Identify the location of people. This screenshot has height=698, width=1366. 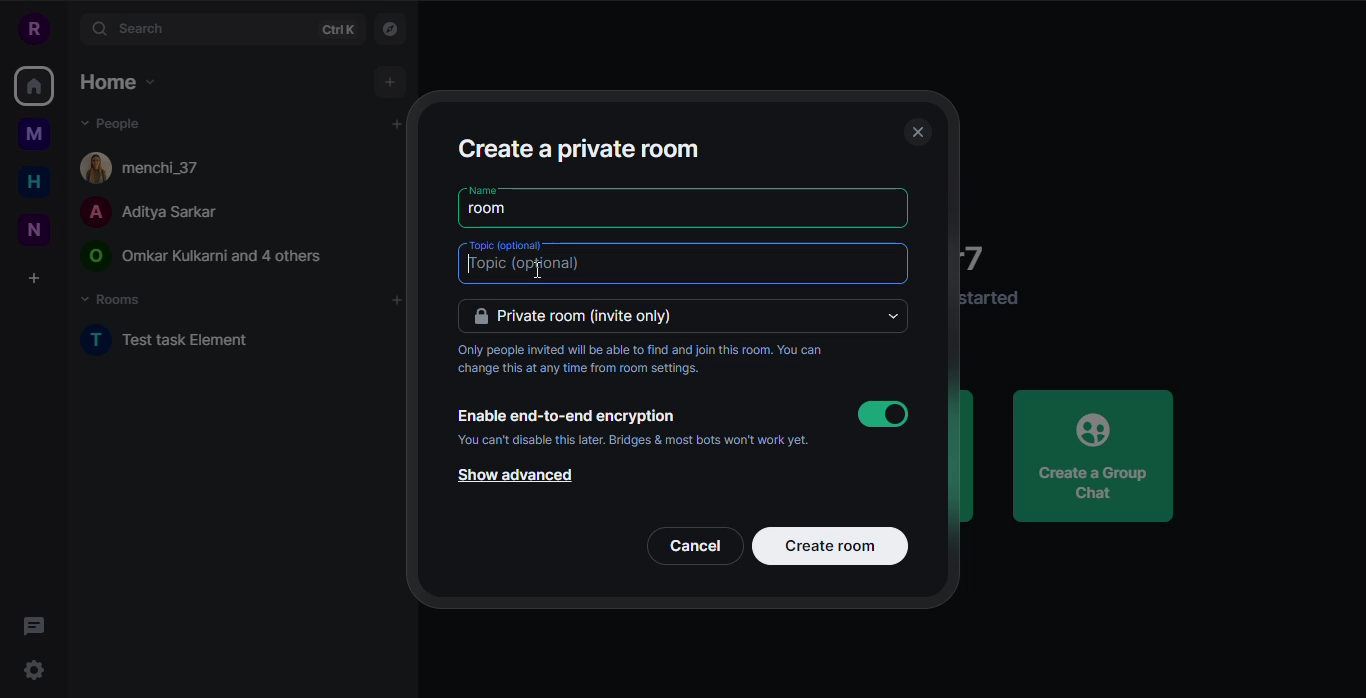
(146, 213).